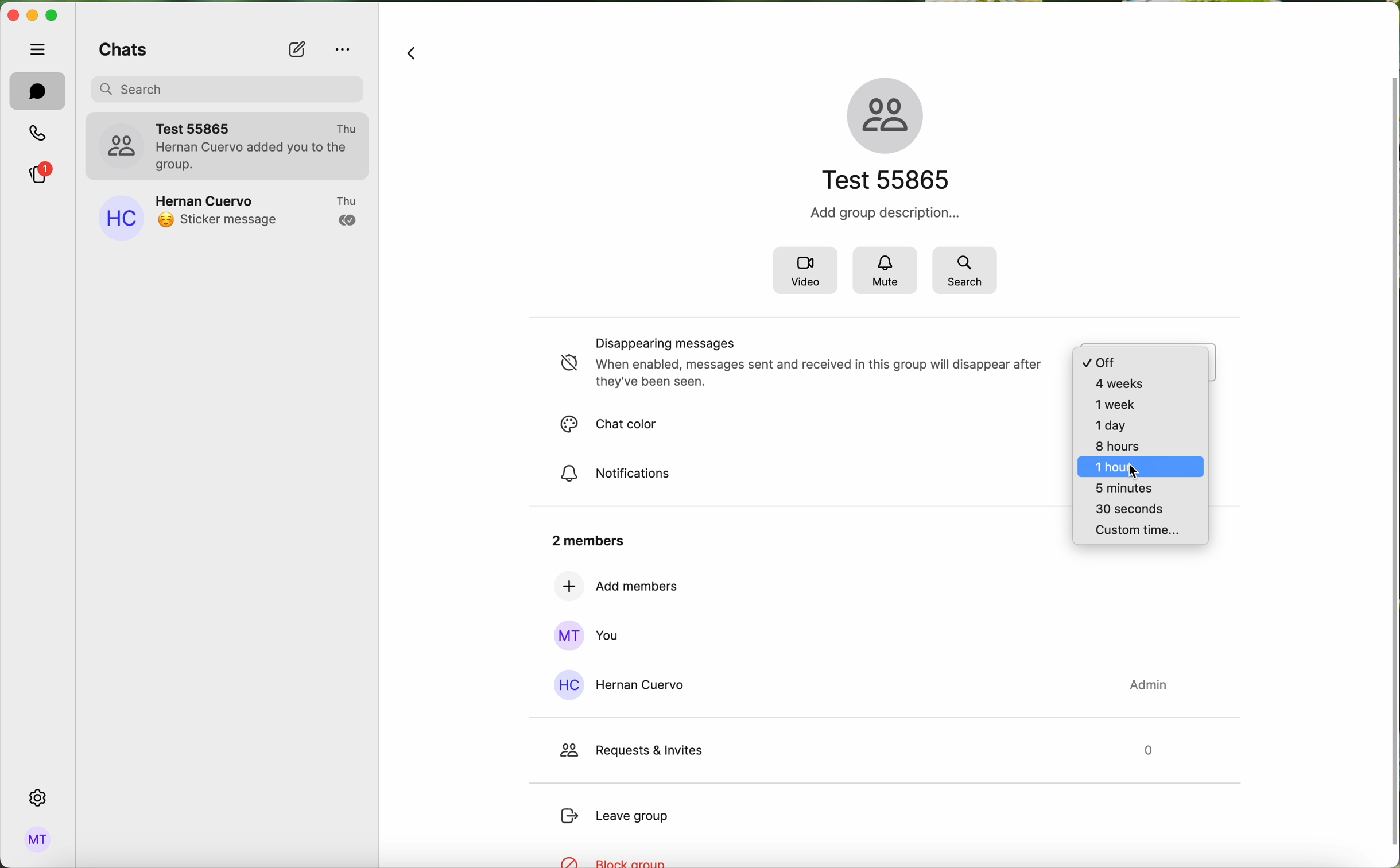 The height and width of the screenshot is (868, 1400). I want to click on test 55865 group, so click(228, 144).